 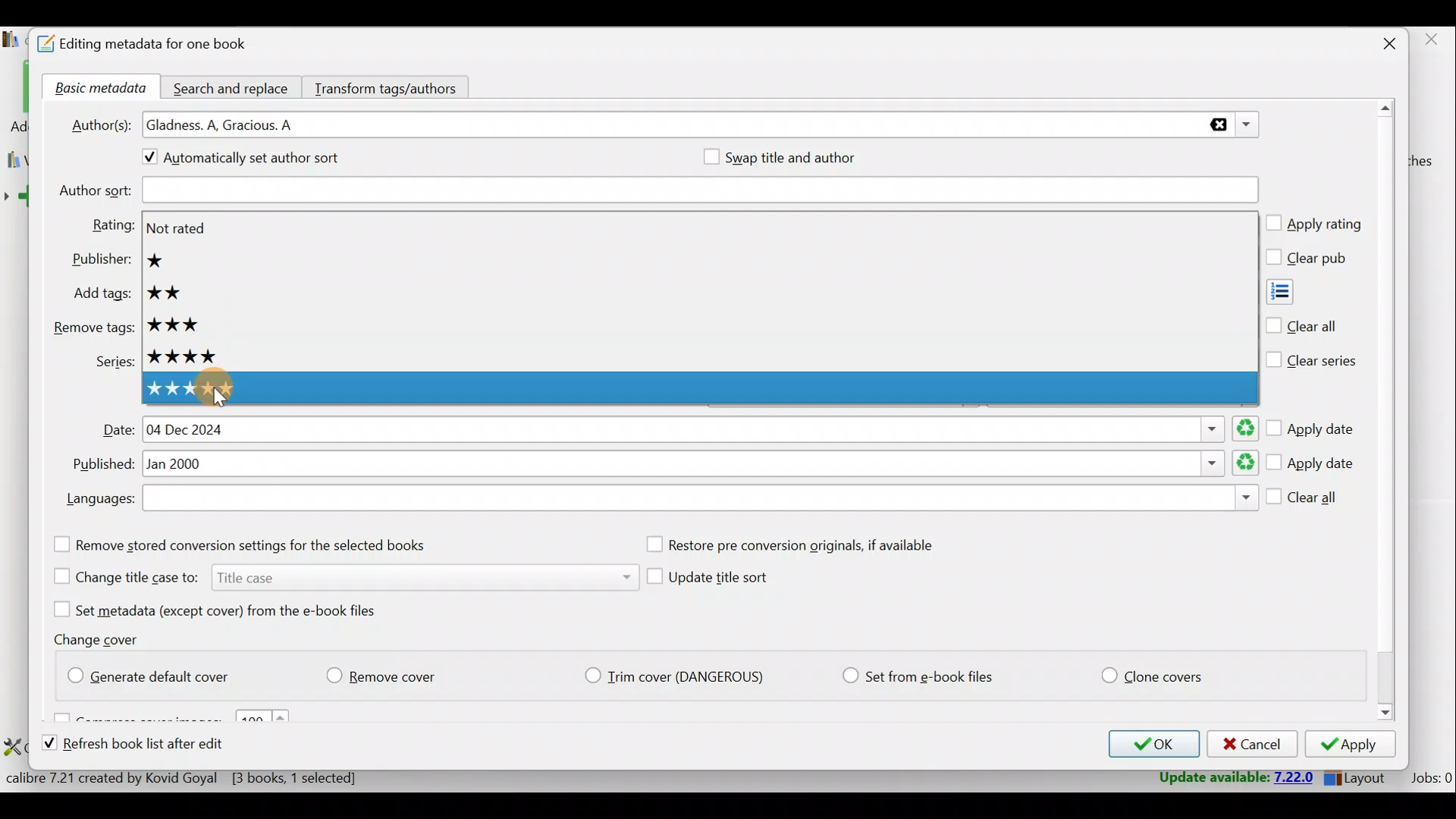 I want to click on Published:, so click(x=100, y=465).